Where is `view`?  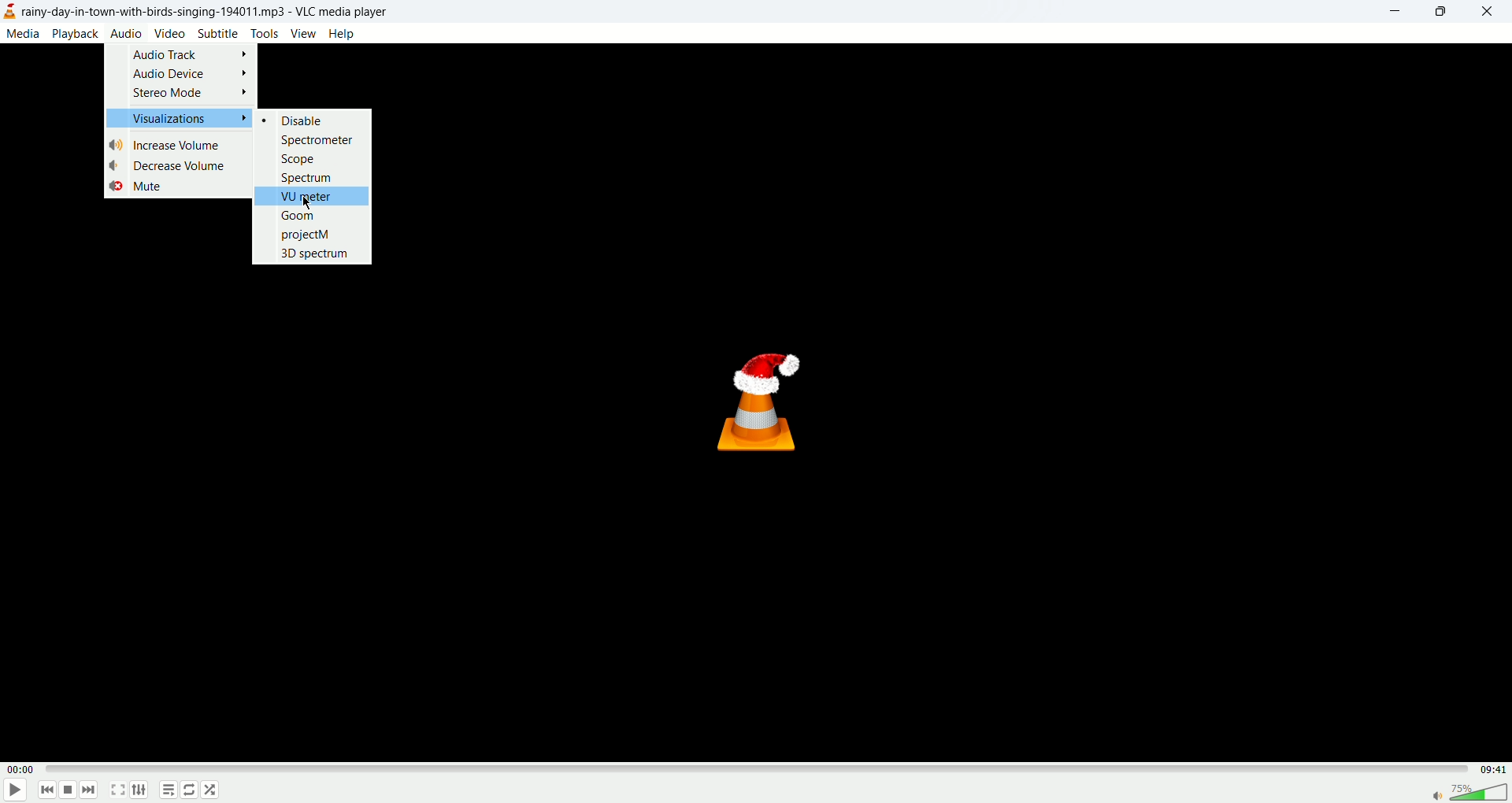
view is located at coordinates (303, 33).